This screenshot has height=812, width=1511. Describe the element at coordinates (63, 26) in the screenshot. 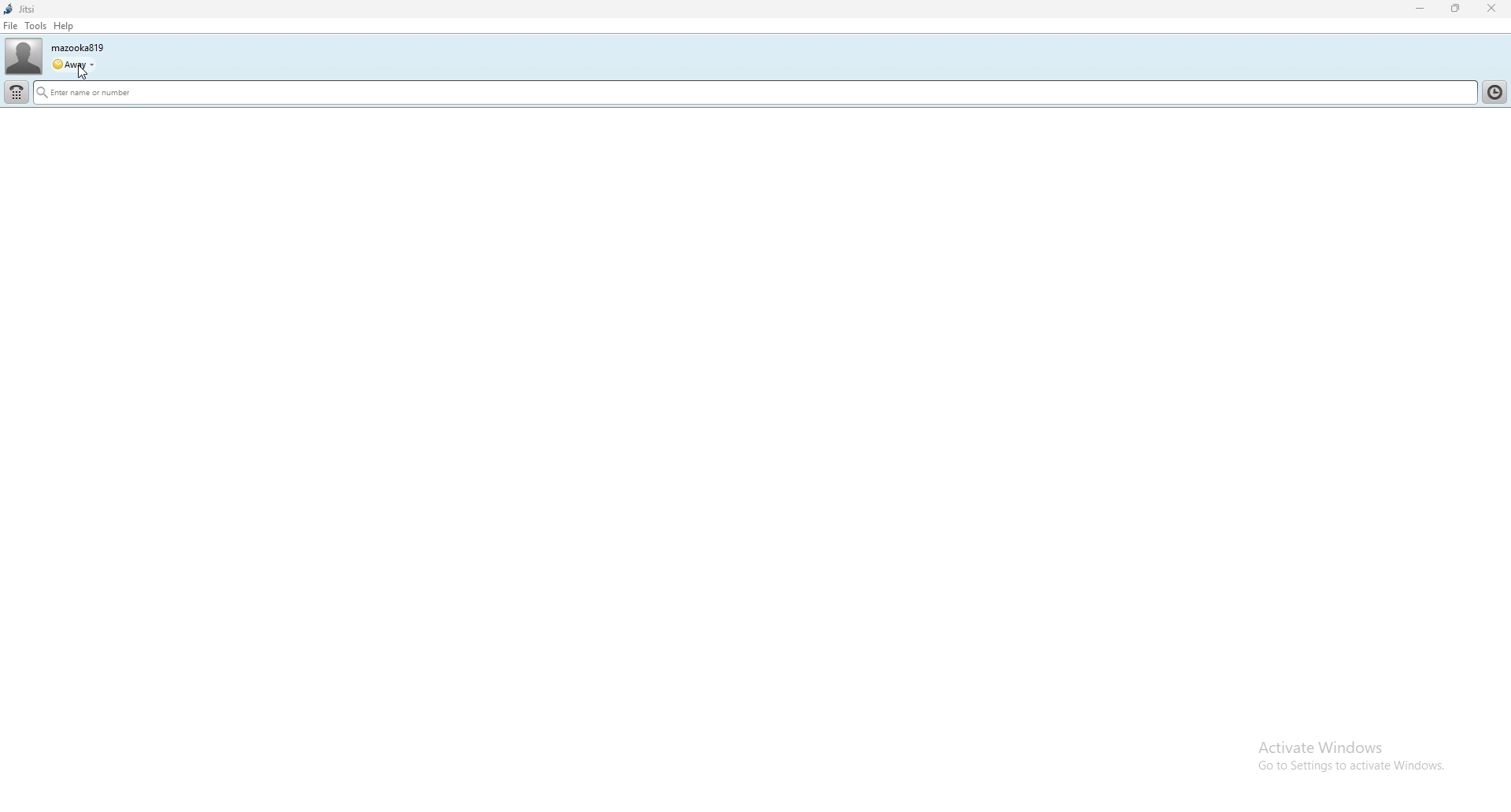

I see `help` at that location.